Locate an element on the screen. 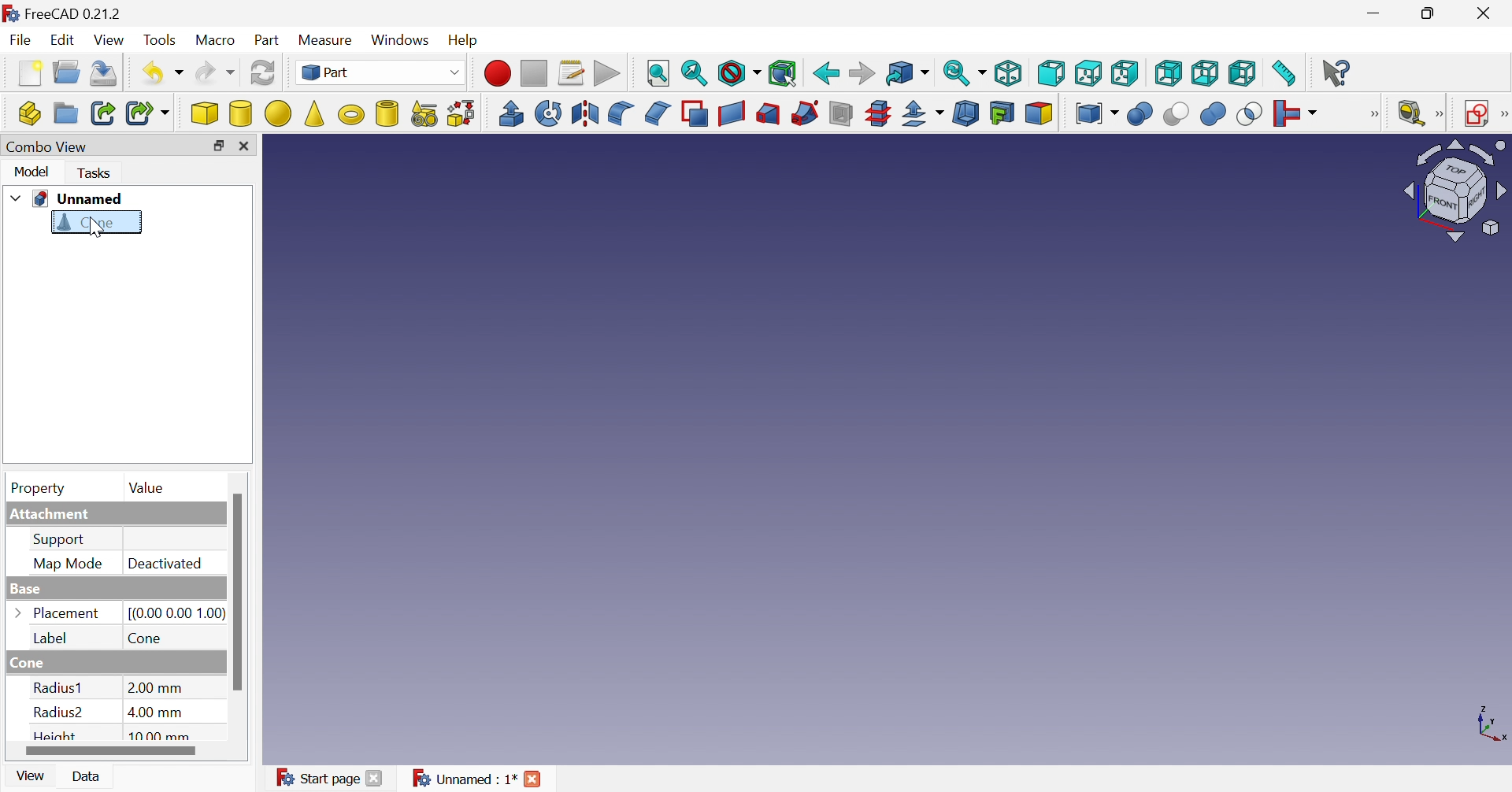 The image size is (1512, 792). Value is located at coordinates (154, 490).